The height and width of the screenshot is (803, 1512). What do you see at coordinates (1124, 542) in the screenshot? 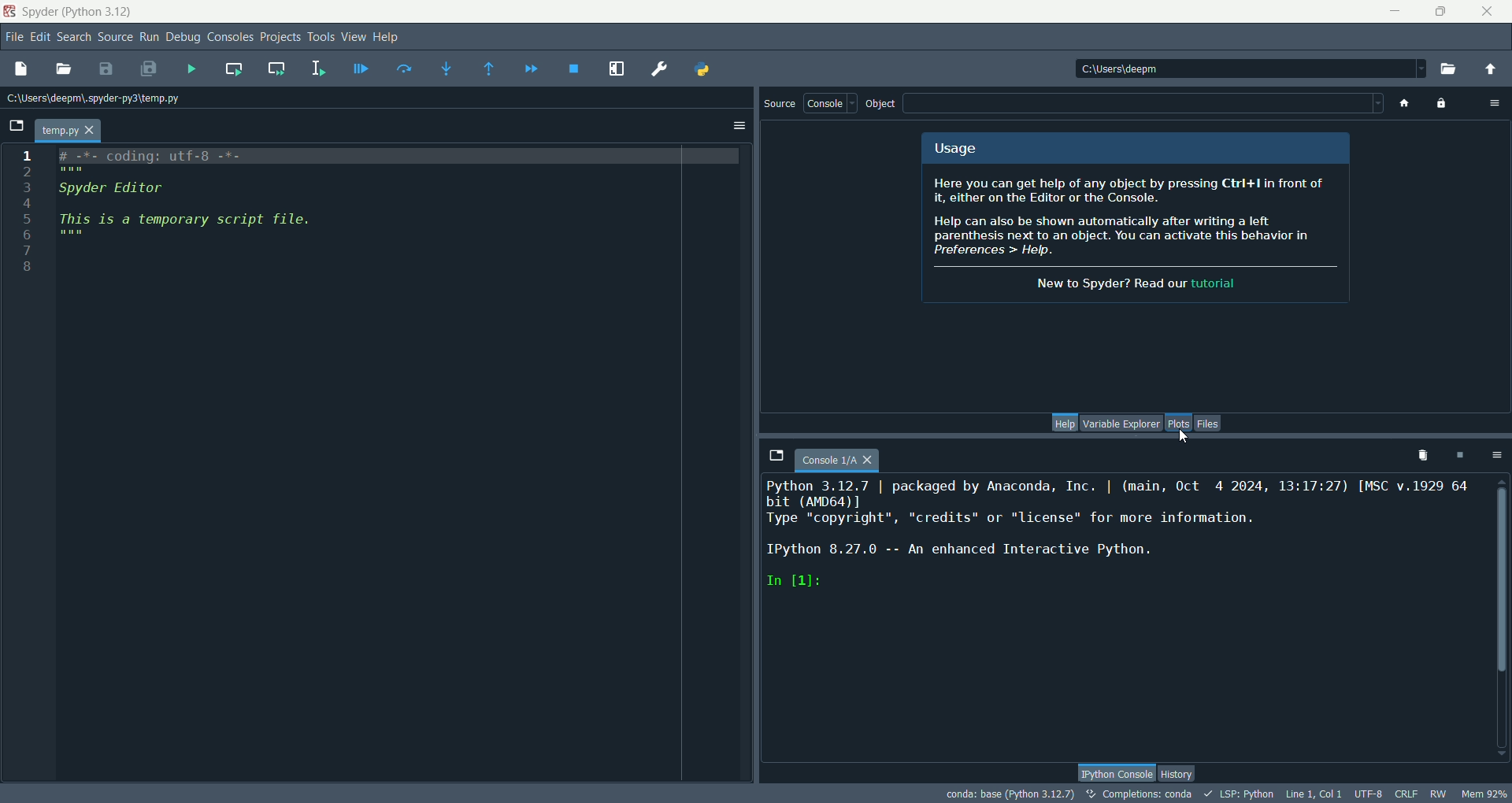
I see `ipython console pane` at bounding box center [1124, 542].